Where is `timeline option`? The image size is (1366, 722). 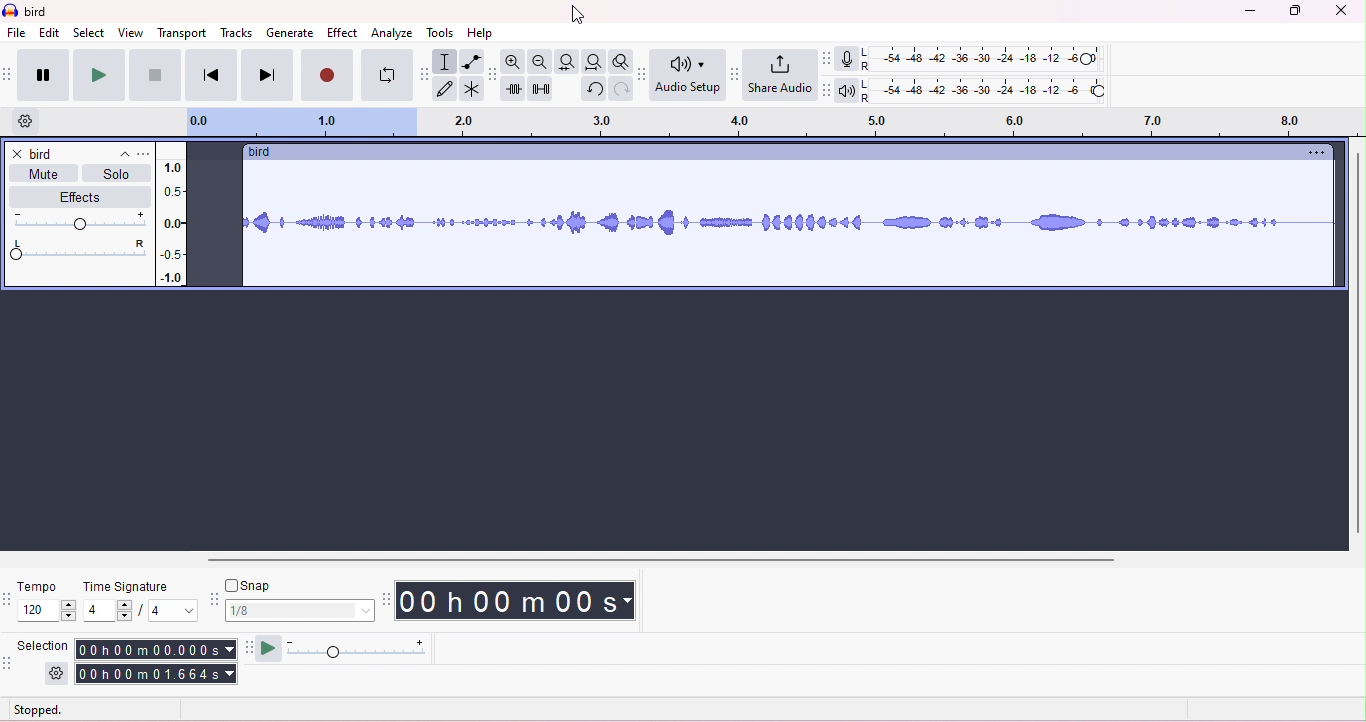
timeline option is located at coordinates (26, 121).